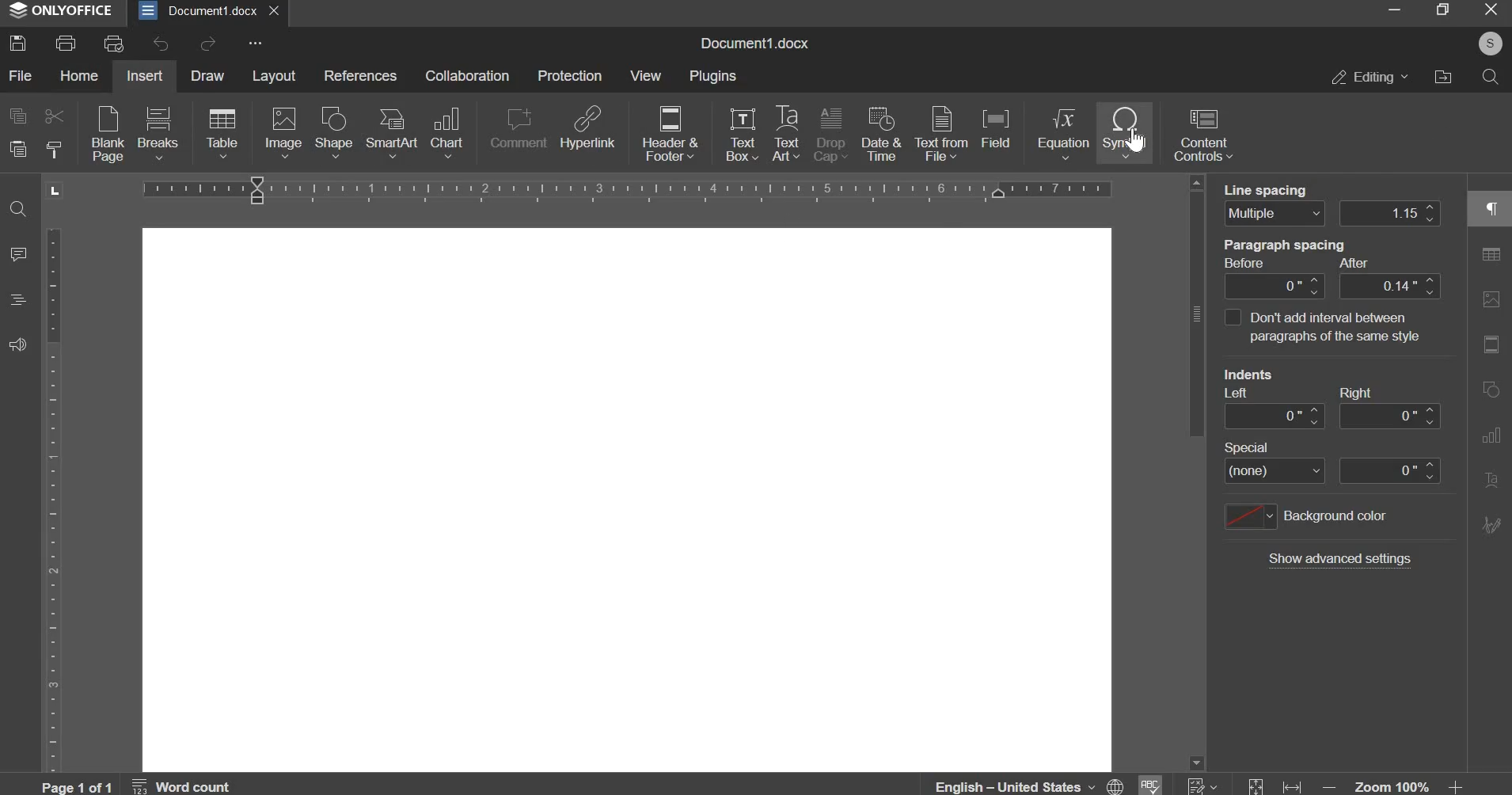  What do you see at coordinates (832, 133) in the screenshot?
I see `drop cap` at bounding box center [832, 133].